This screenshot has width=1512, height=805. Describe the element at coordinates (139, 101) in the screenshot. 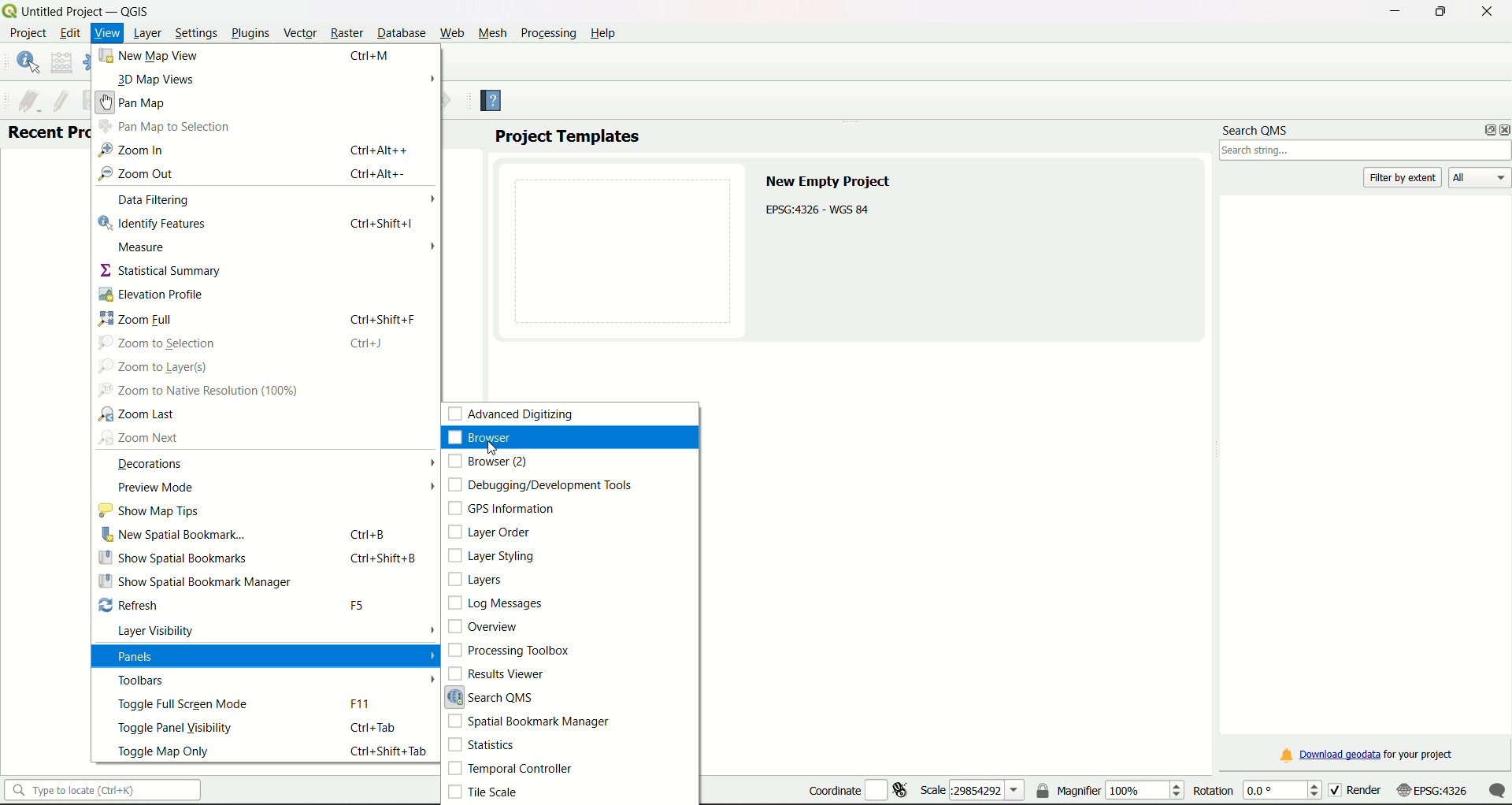

I see `Pan MAP` at that location.